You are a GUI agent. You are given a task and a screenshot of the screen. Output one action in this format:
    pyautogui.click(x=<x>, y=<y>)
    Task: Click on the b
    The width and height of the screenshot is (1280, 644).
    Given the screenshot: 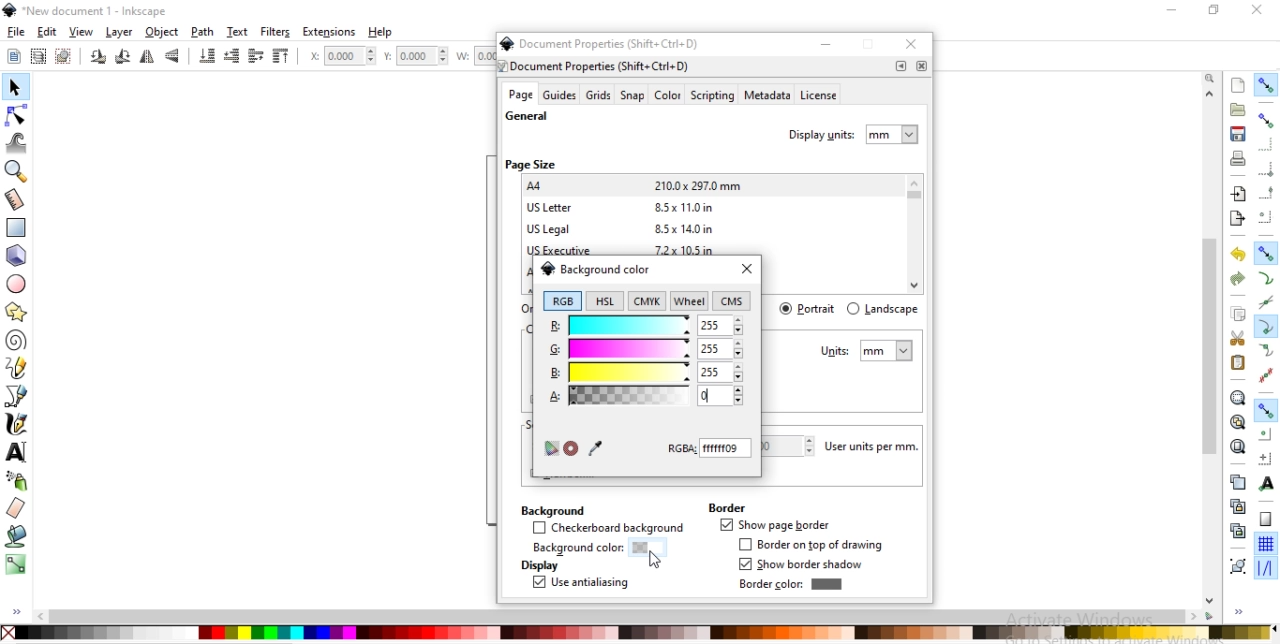 What is the action you would take?
    pyautogui.click(x=645, y=372)
    